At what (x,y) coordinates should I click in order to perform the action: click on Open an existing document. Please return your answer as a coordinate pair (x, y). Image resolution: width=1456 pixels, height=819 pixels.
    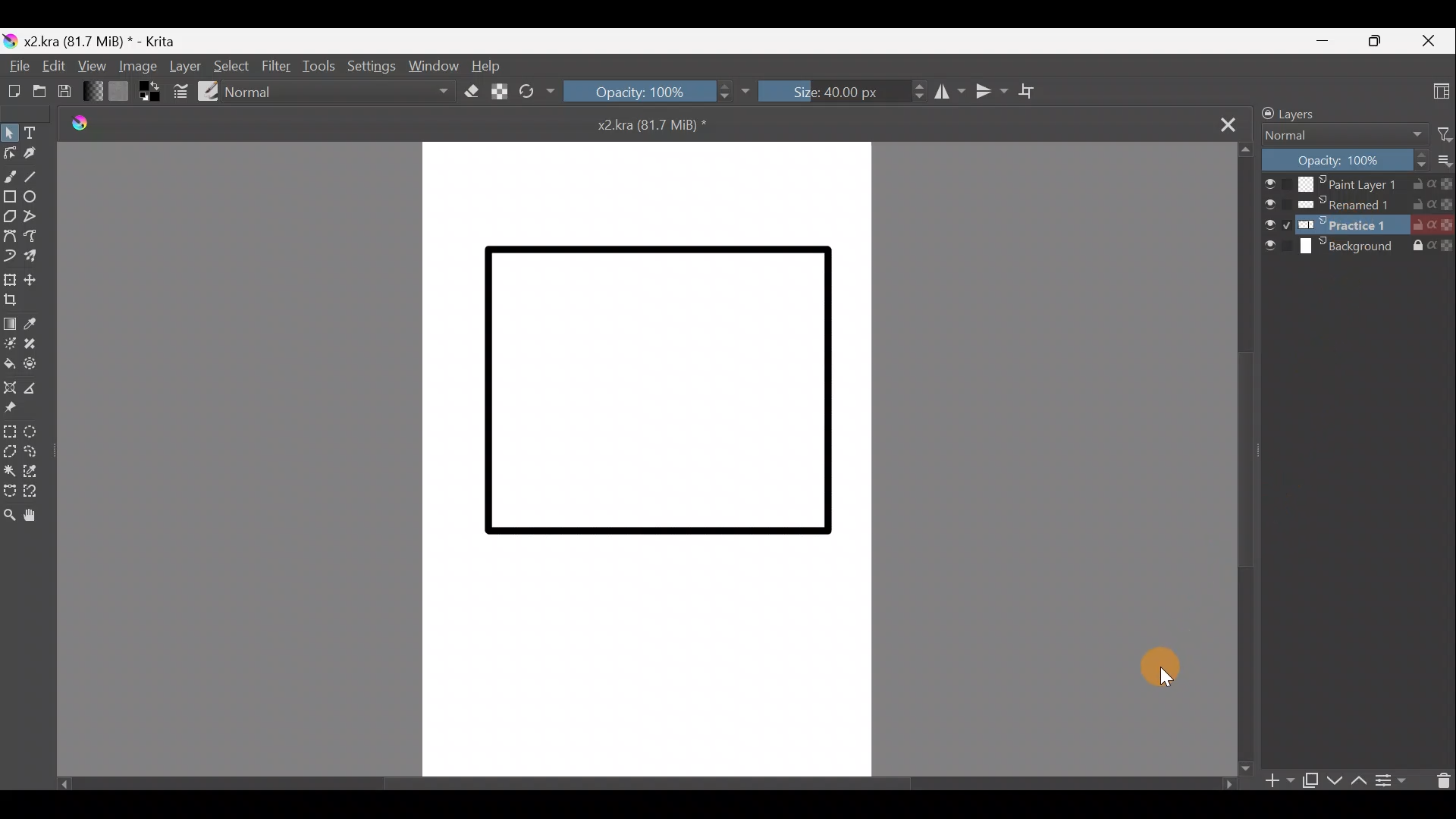
    Looking at the image, I should click on (41, 90).